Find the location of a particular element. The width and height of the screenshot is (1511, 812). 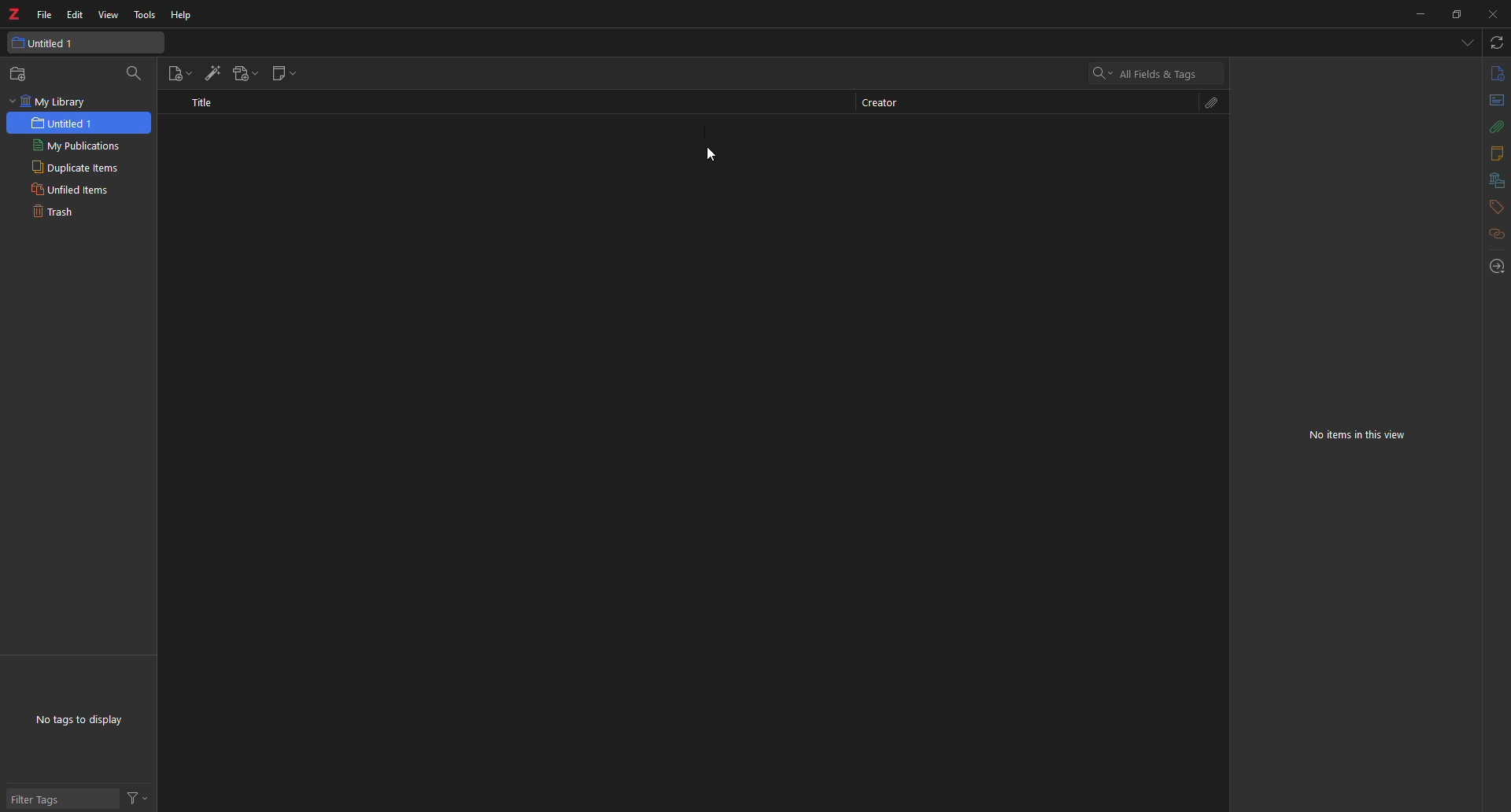

search is located at coordinates (1147, 76).